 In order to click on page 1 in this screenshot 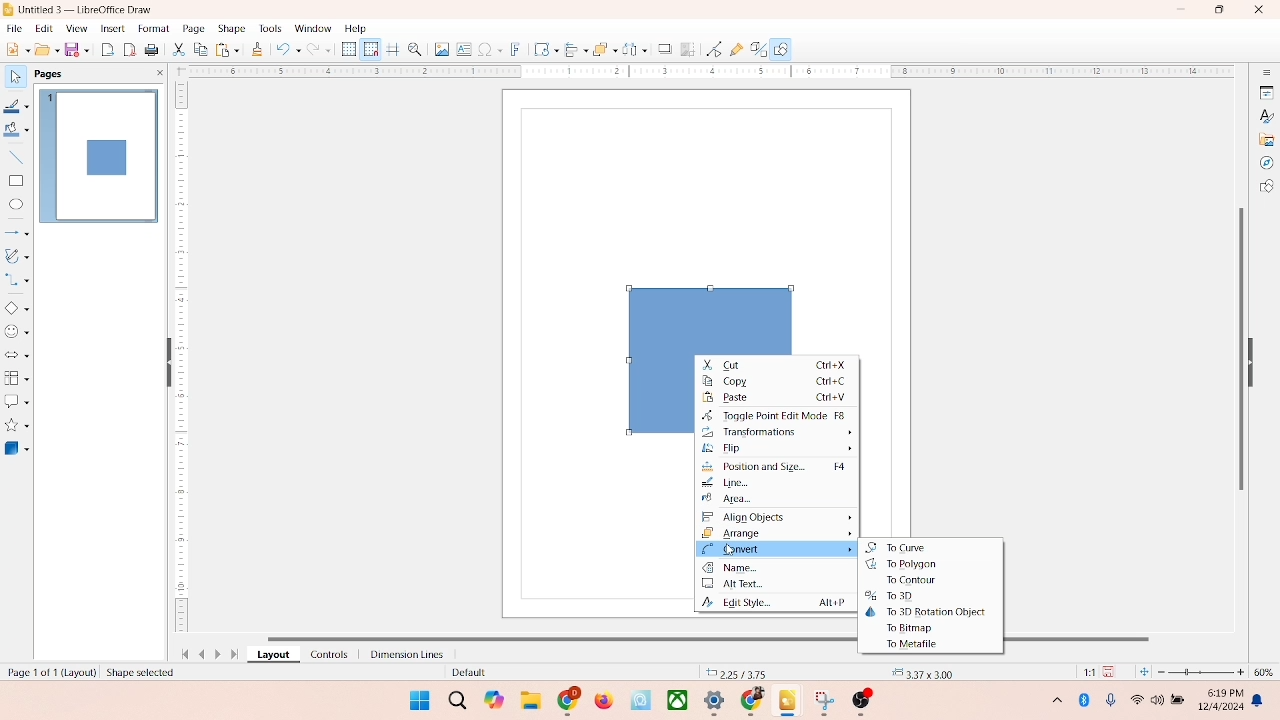, I will do `click(99, 155)`.